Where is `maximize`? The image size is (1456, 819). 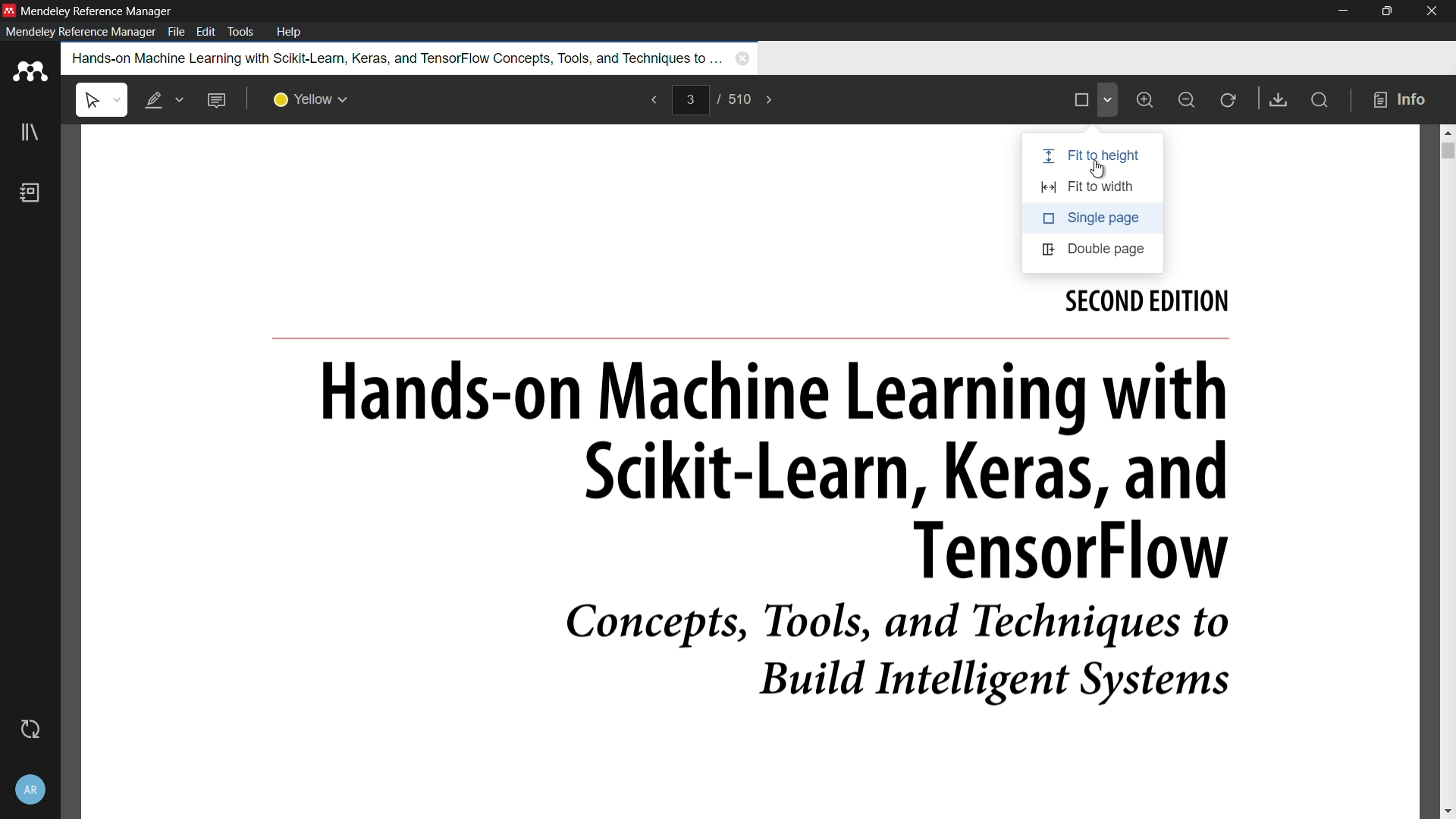 maximize is located at coordinates (1386, 11).